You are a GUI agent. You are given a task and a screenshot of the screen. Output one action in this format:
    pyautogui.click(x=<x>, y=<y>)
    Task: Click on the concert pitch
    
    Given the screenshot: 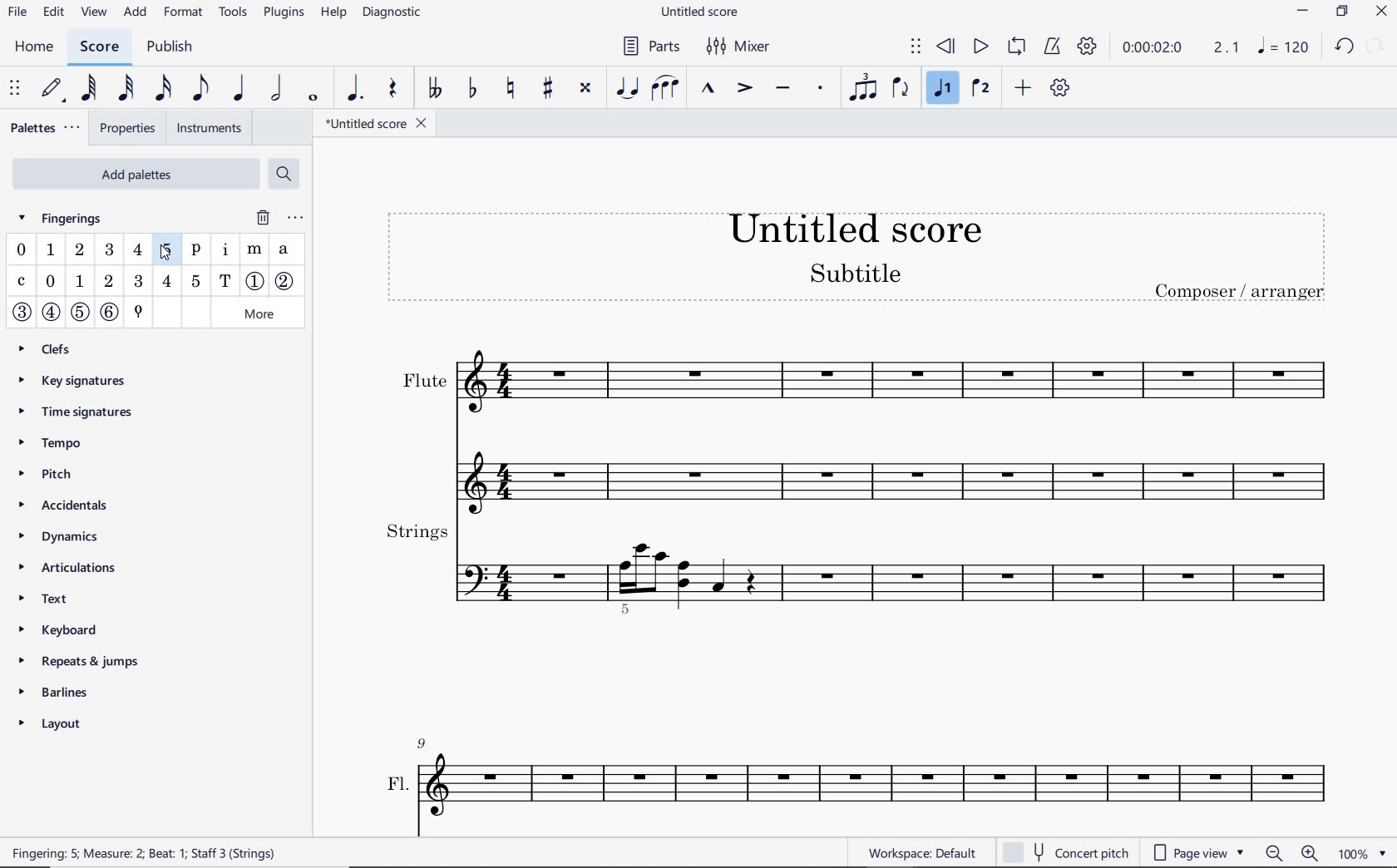 What is the action you would take?
    pyautogui.click(x=1065, y=853)
    